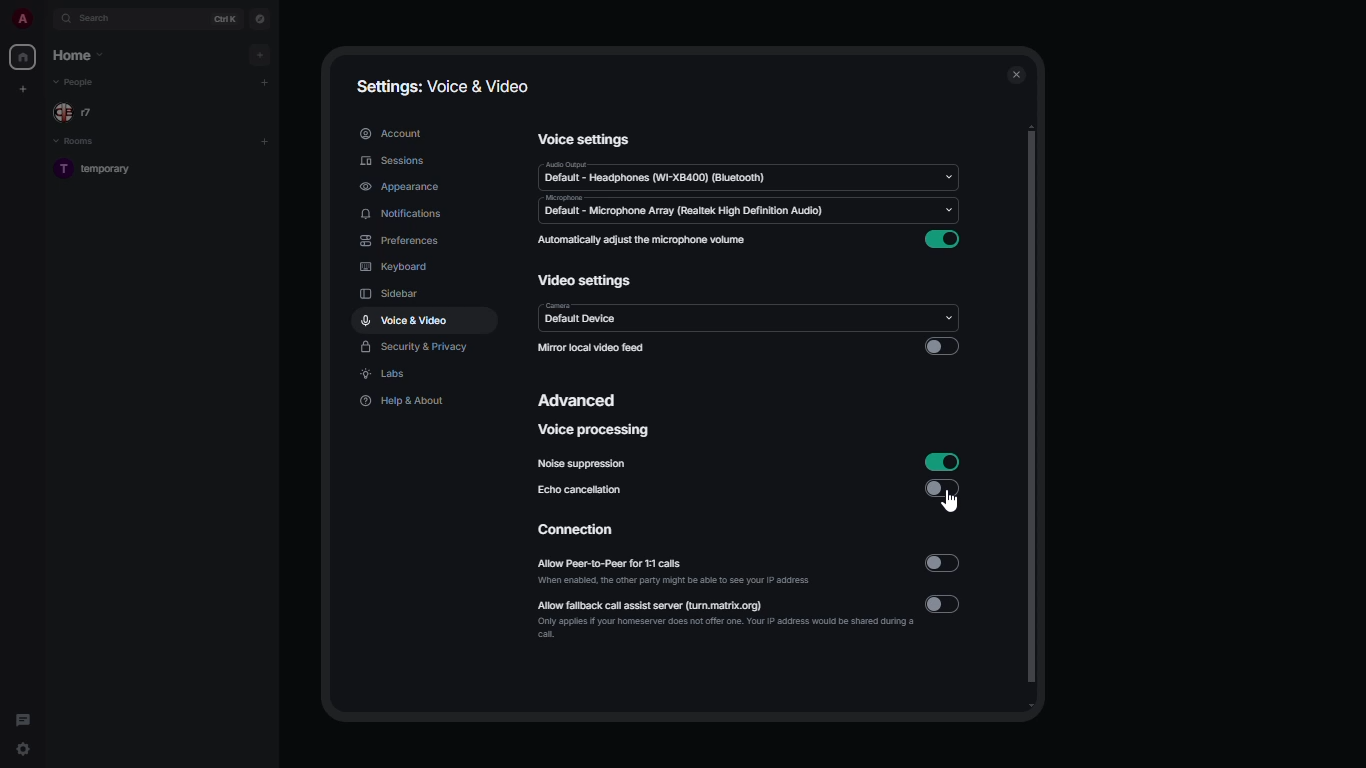  I want to click on disabled, so click(947, 490).